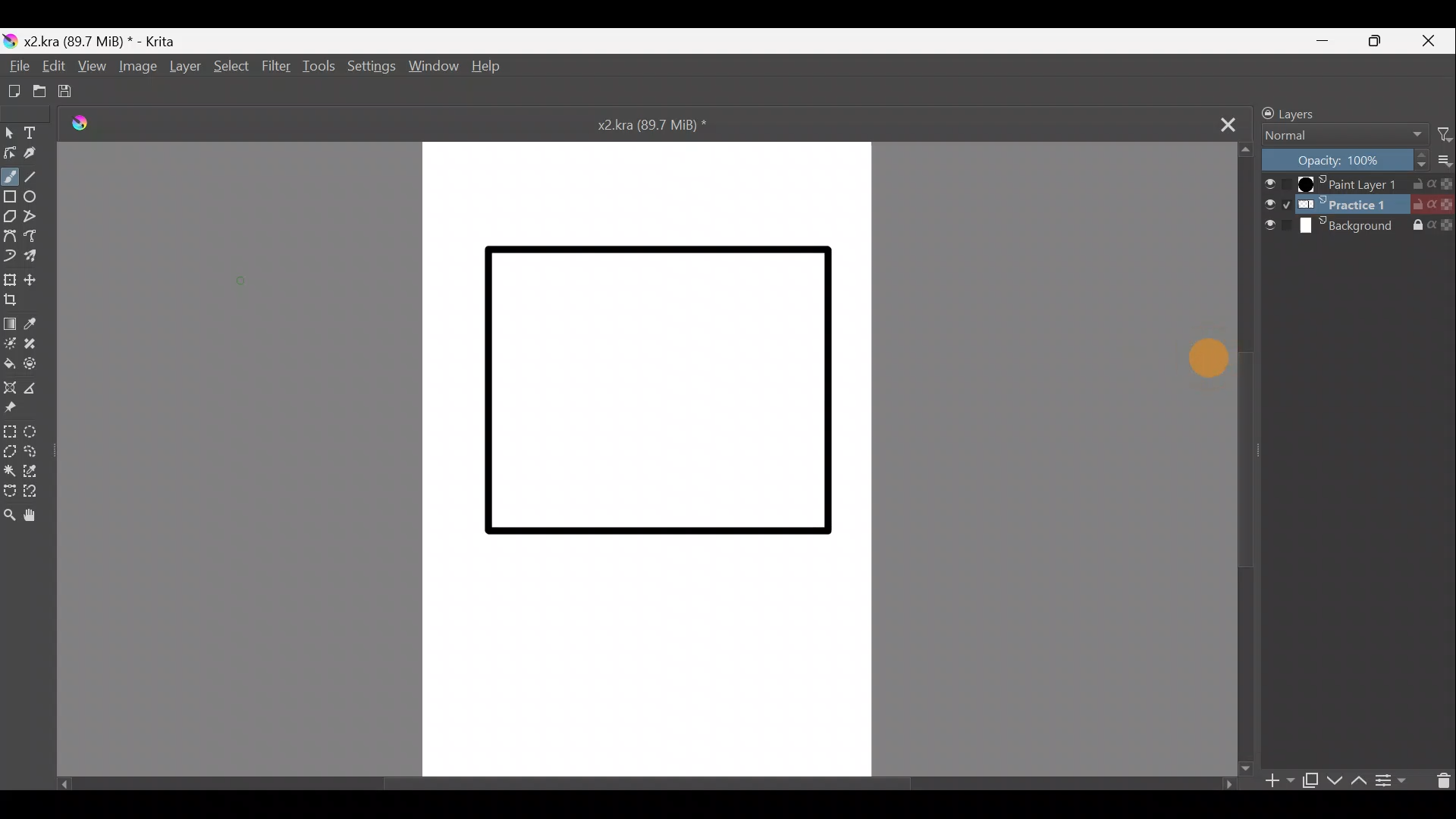 This screenshot has width=1456, height=819. What do you see at coordinates (35, 516) in the screenshot?
I see `Pan tool` at bounding box center [35, 516].